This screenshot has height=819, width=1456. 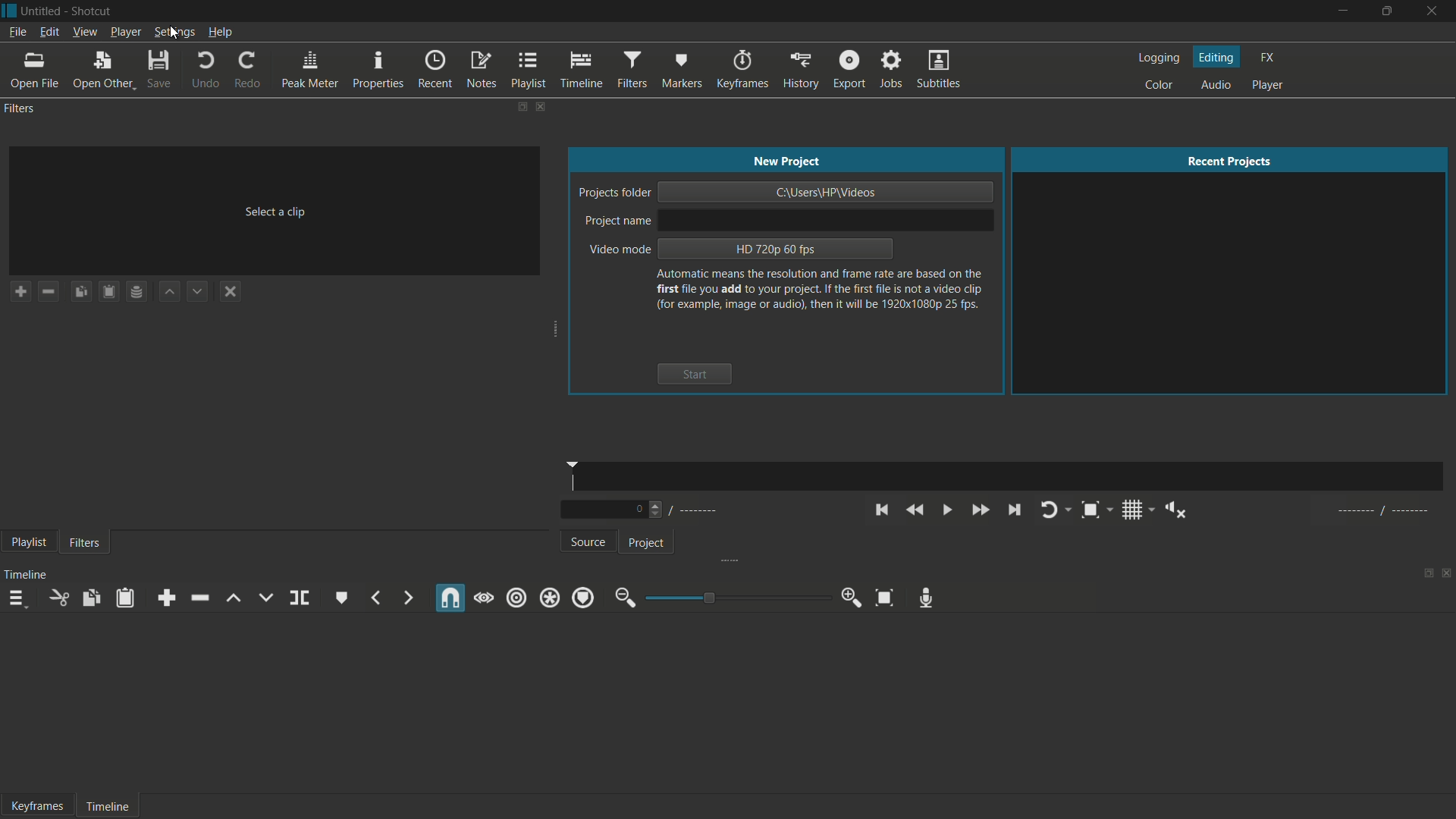 What do you see at coordinates (169, 293) in the screenshot?
I see `move filter up` at bounding box center [169, 293].